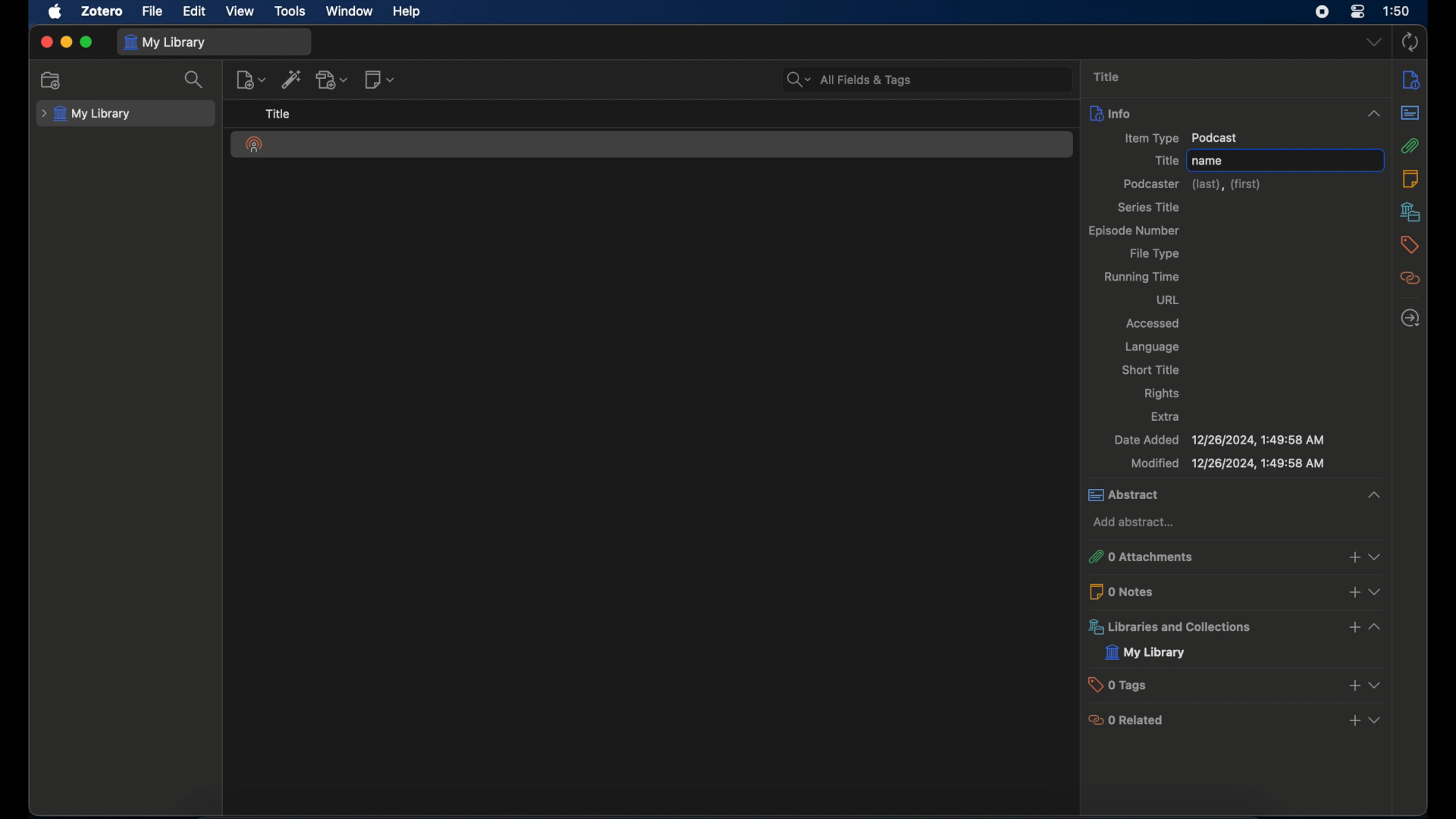  Describe the element at coordinates (1410, 81) in the screenshot. I see `info` at that location.